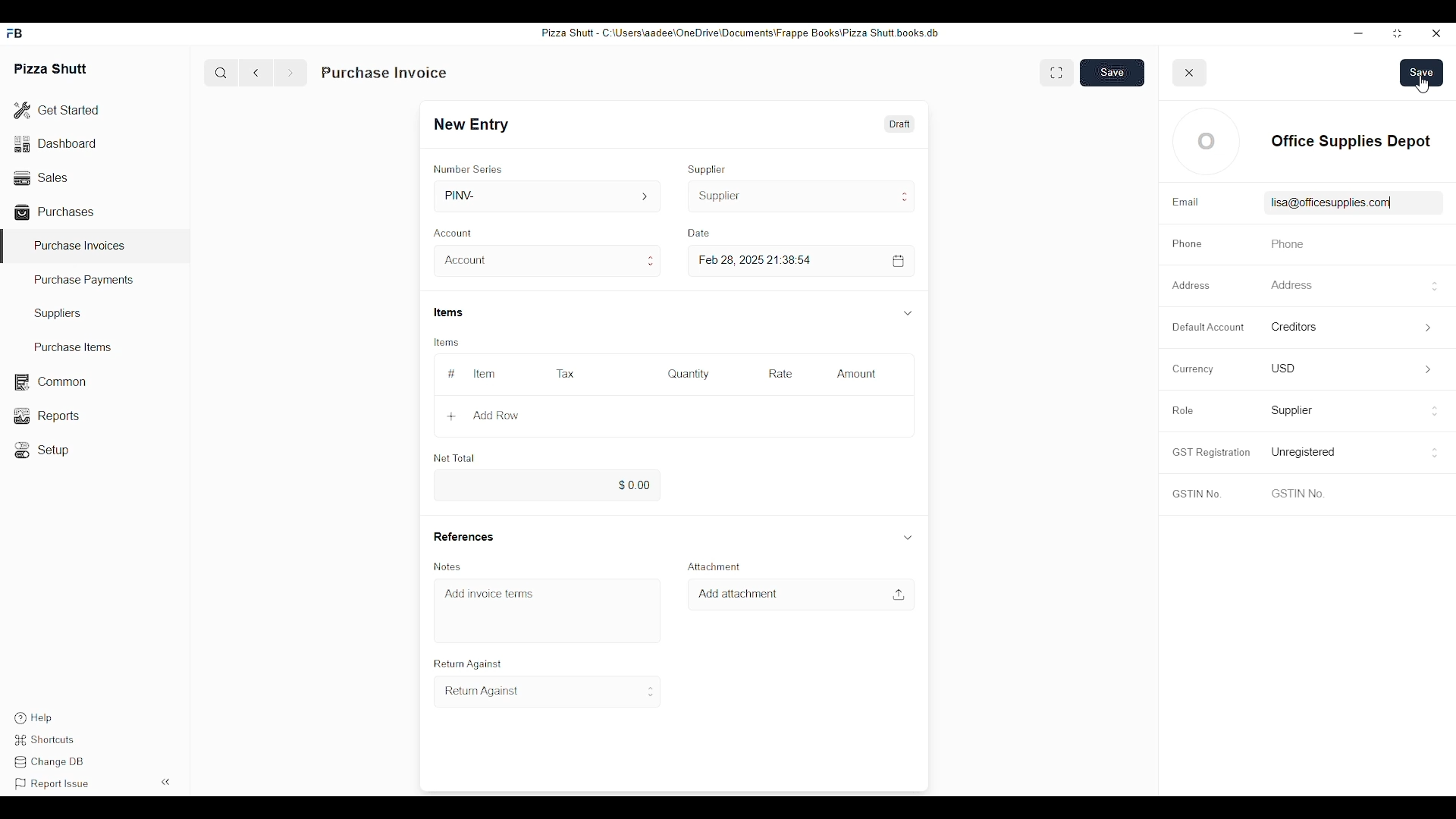  Describe the element at coordinates (45, 450) in the screenshot. I see `Setup` at that location.